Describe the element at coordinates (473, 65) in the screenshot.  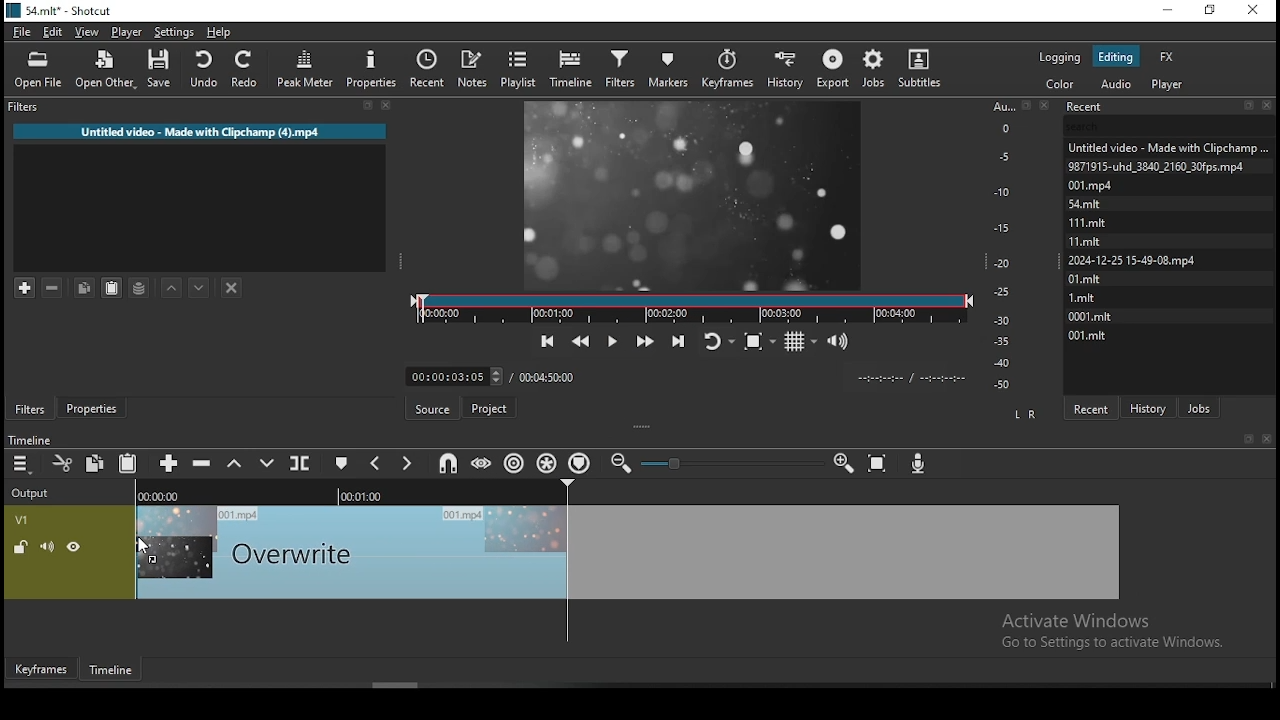
I see `notes` at that location.